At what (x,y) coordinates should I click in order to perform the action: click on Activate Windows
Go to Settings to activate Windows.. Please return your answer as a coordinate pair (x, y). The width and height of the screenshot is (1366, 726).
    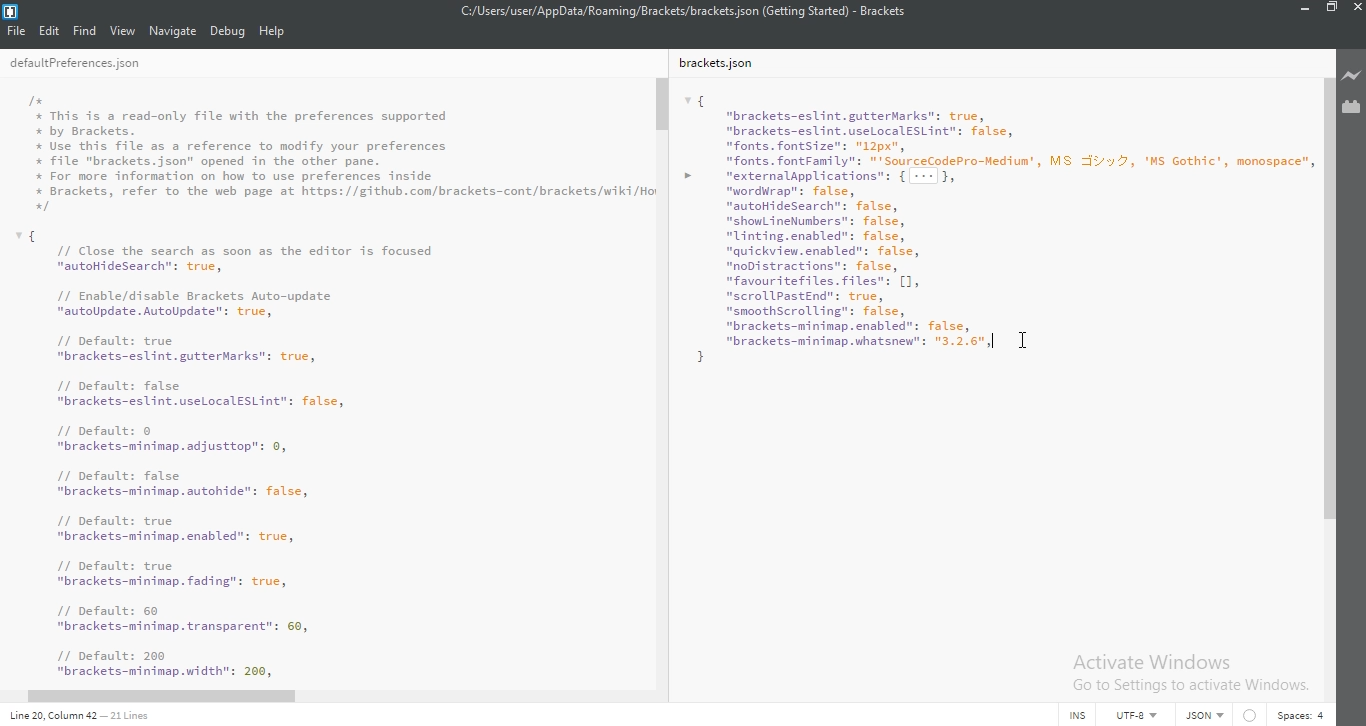
    Looking at the image, I should click on (1190, 671).